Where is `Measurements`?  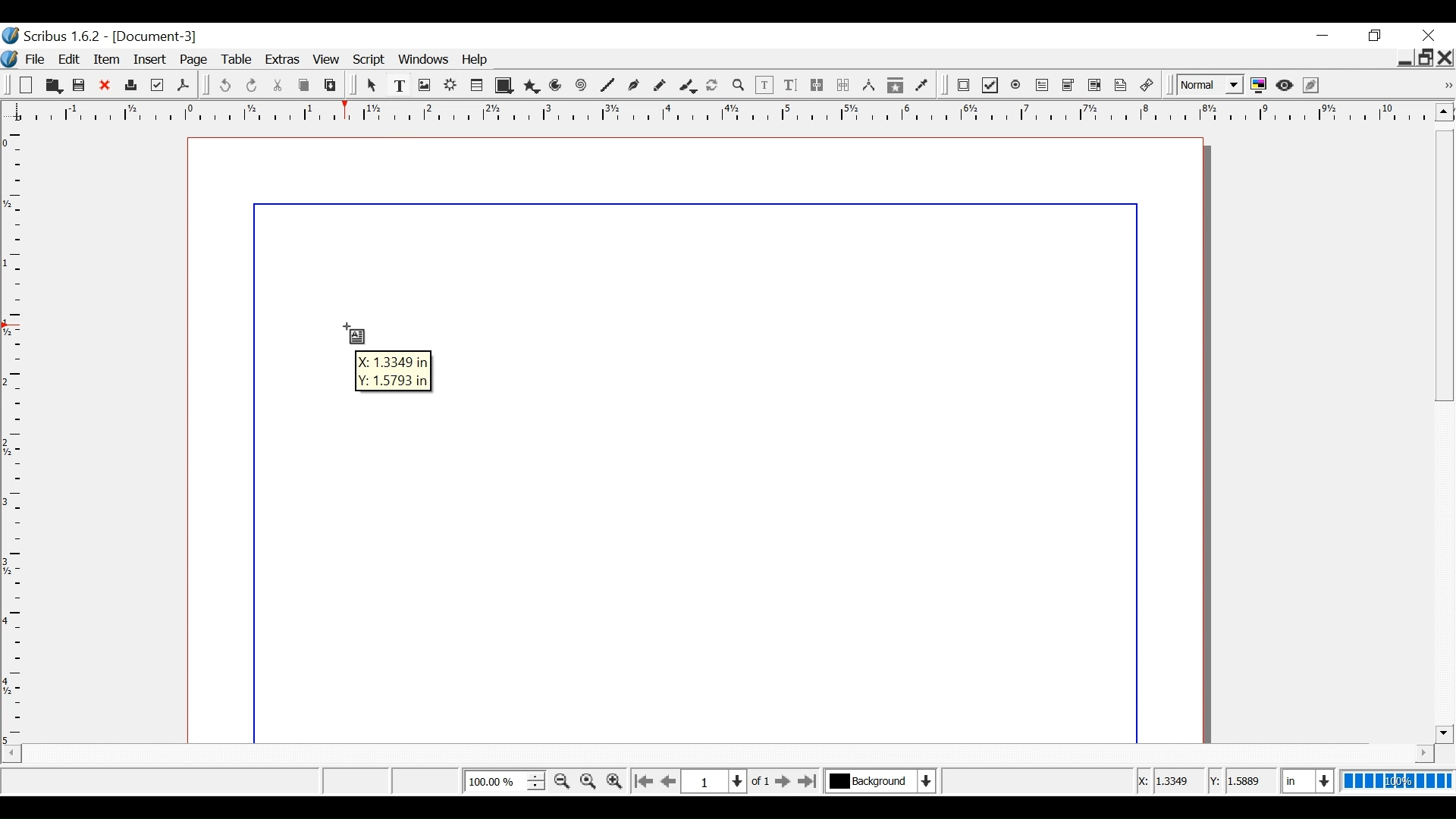
Measurements is located at coordinates (868, 86).